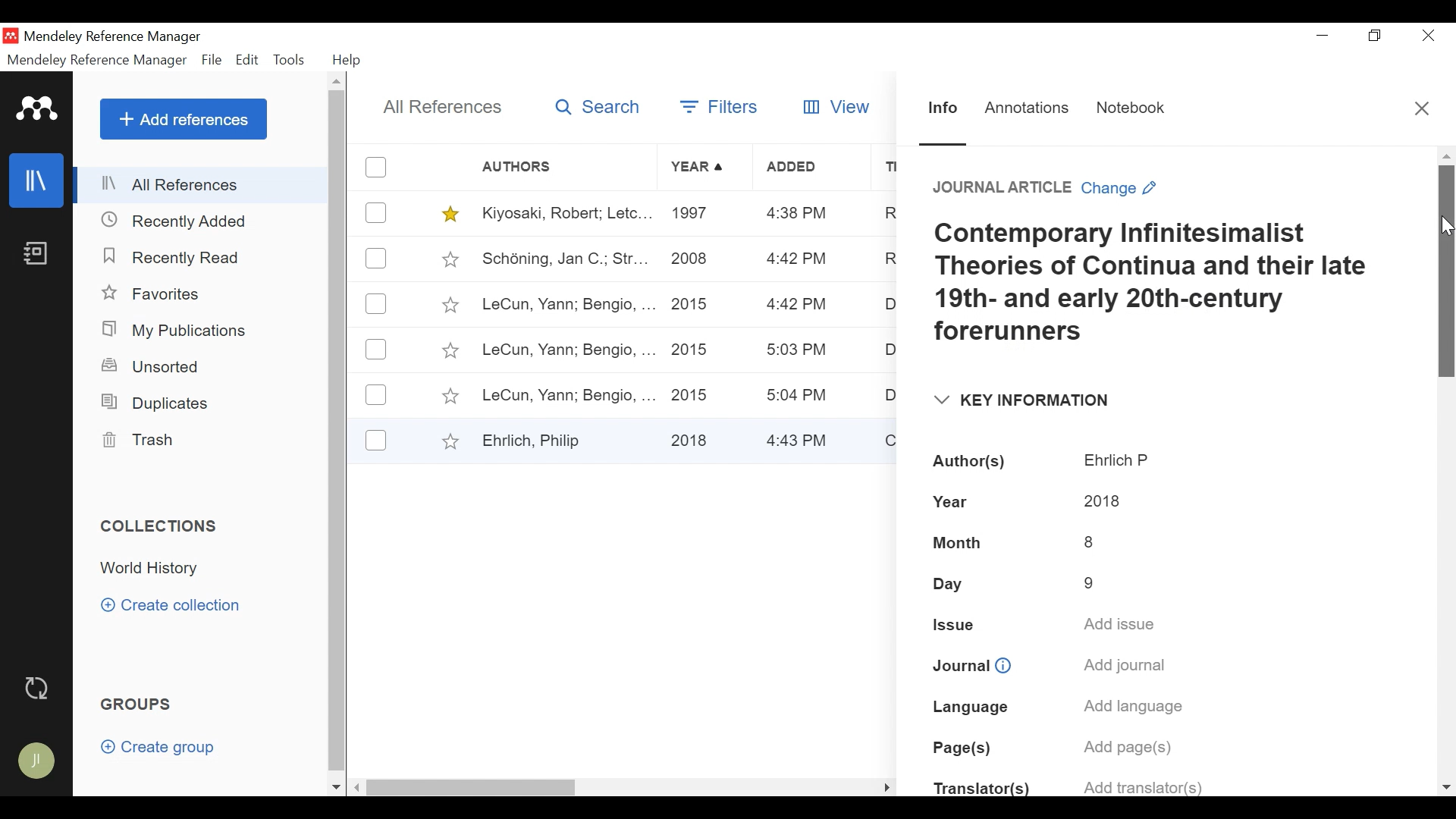 Image resolution: width=1456 pixels, height=819 pixels. Describe the element at coordinates (1125, 667) in the screenshot. I see `Add journal` at that location.